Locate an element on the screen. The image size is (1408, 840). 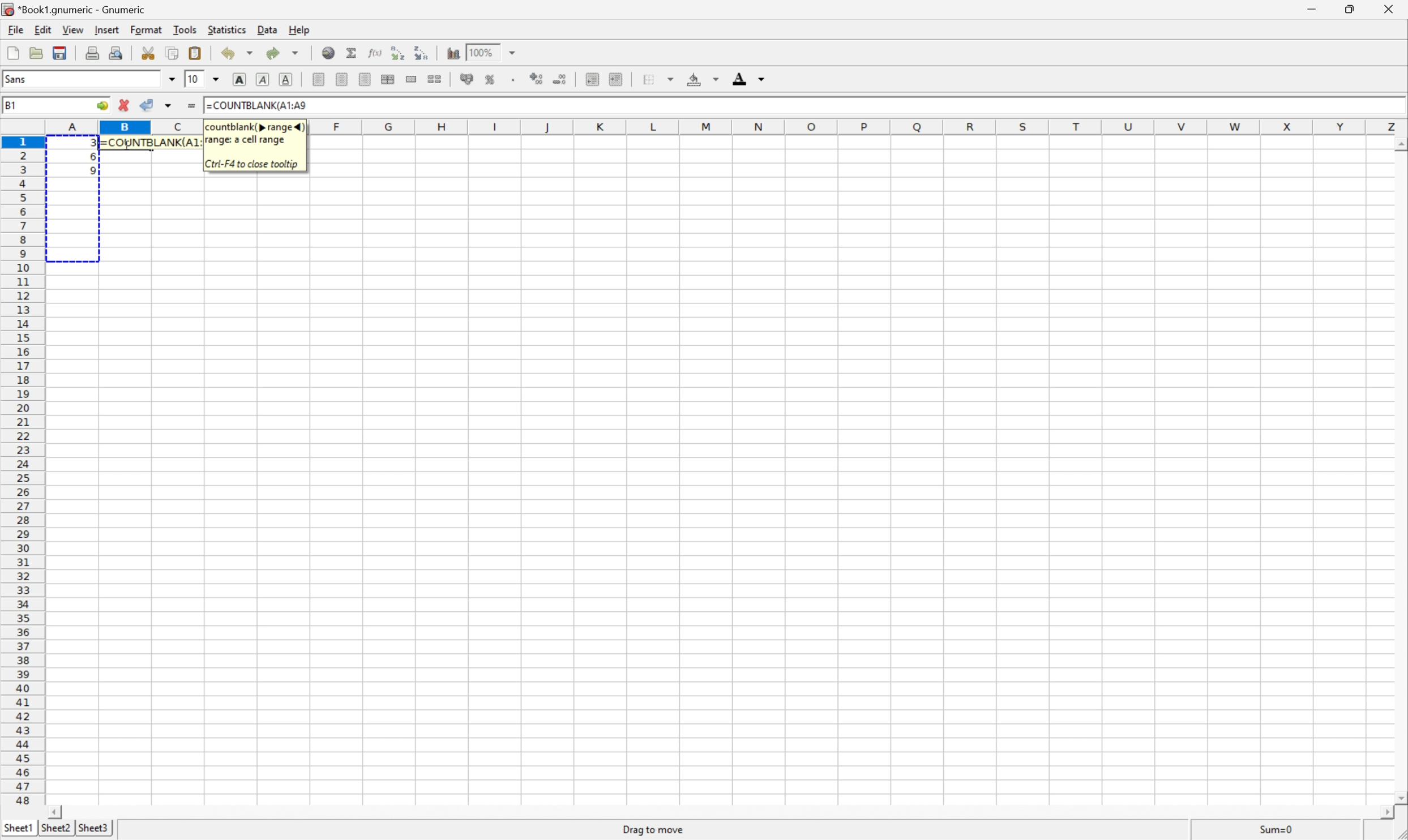
Sheet1 is located at coordinates (18, 828).